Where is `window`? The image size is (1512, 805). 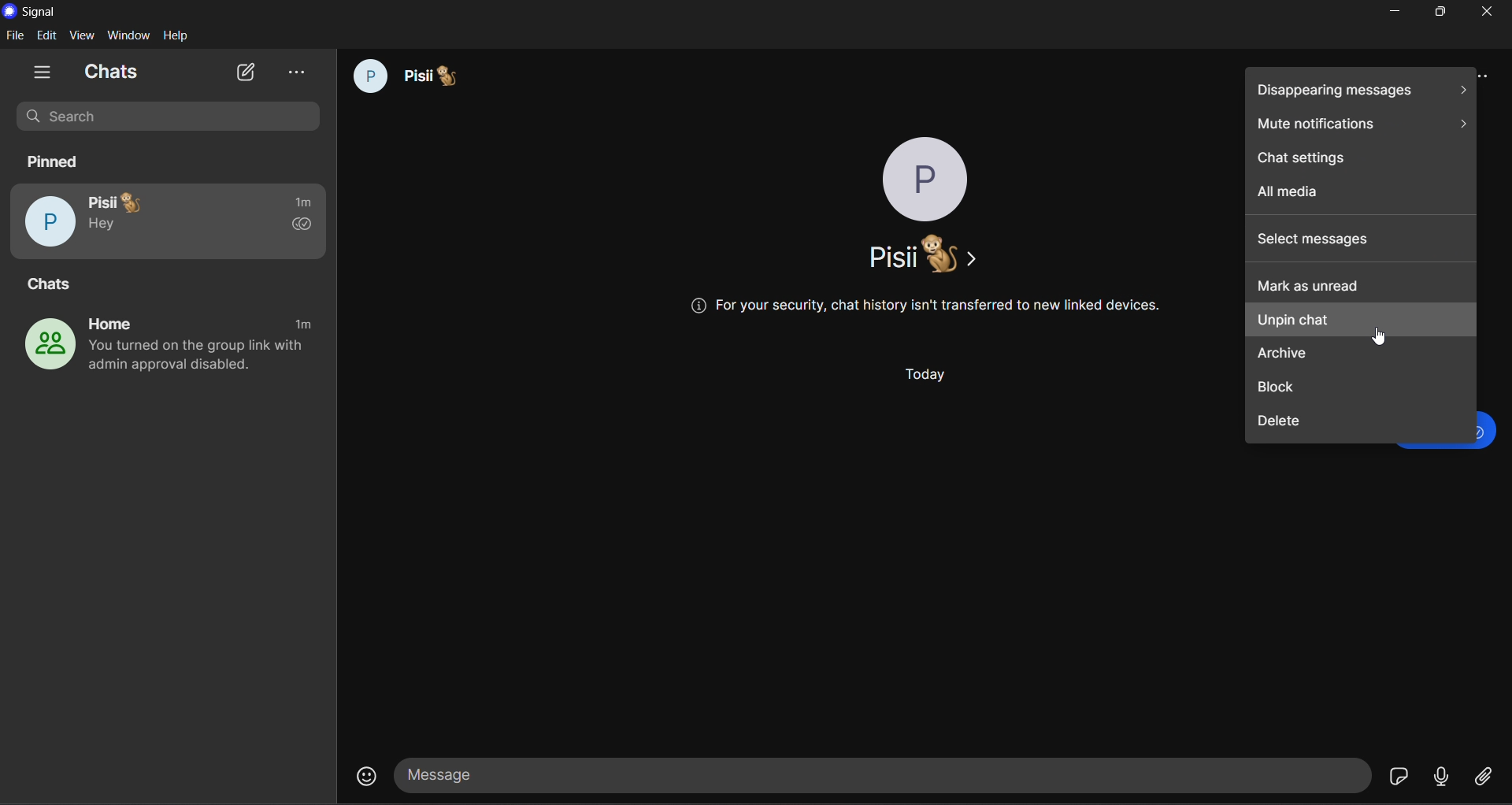
window is located at coordinates (130, 35).